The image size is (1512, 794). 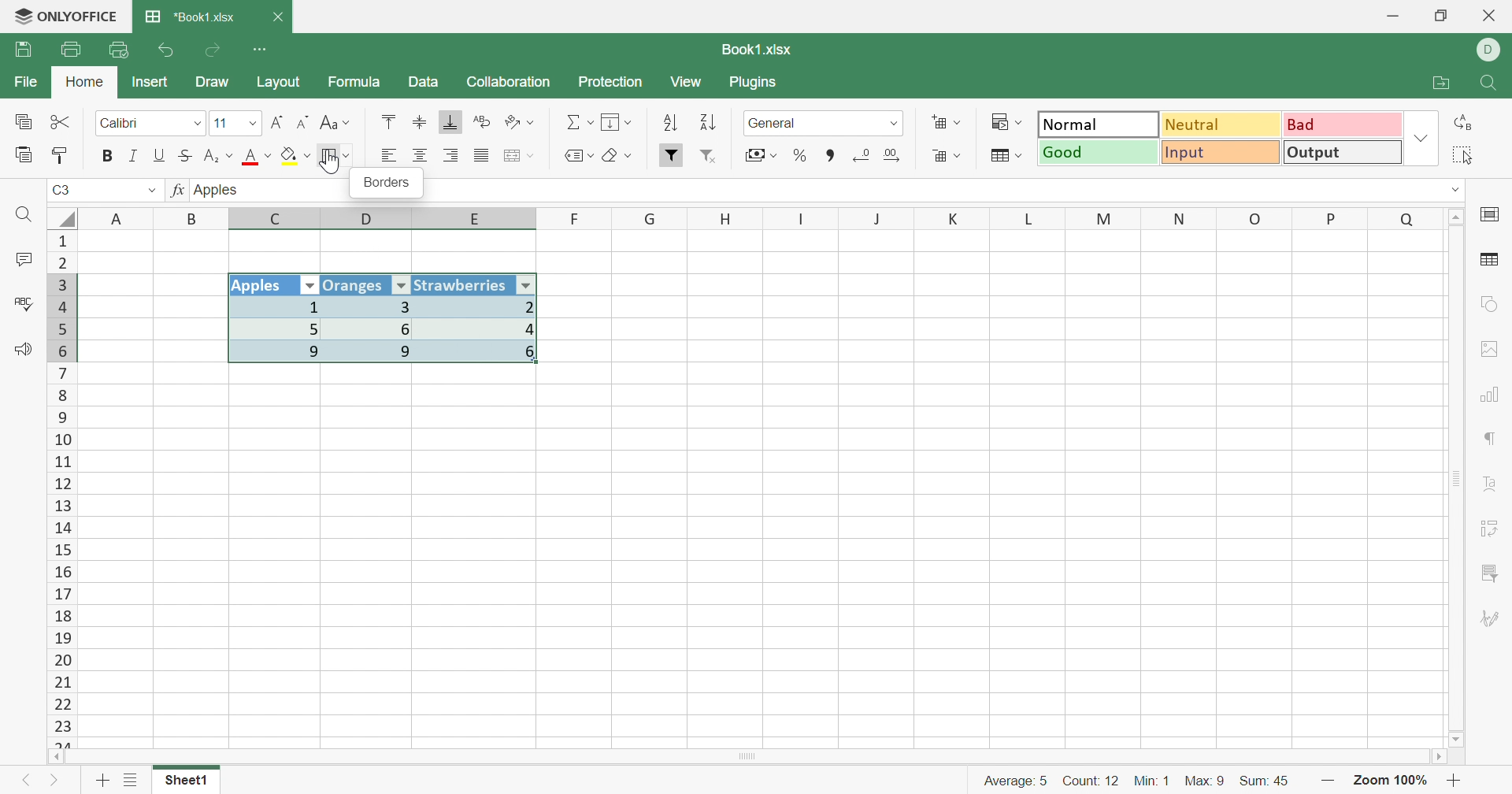 I want to click on Plugins, so click(x=757, y=84).